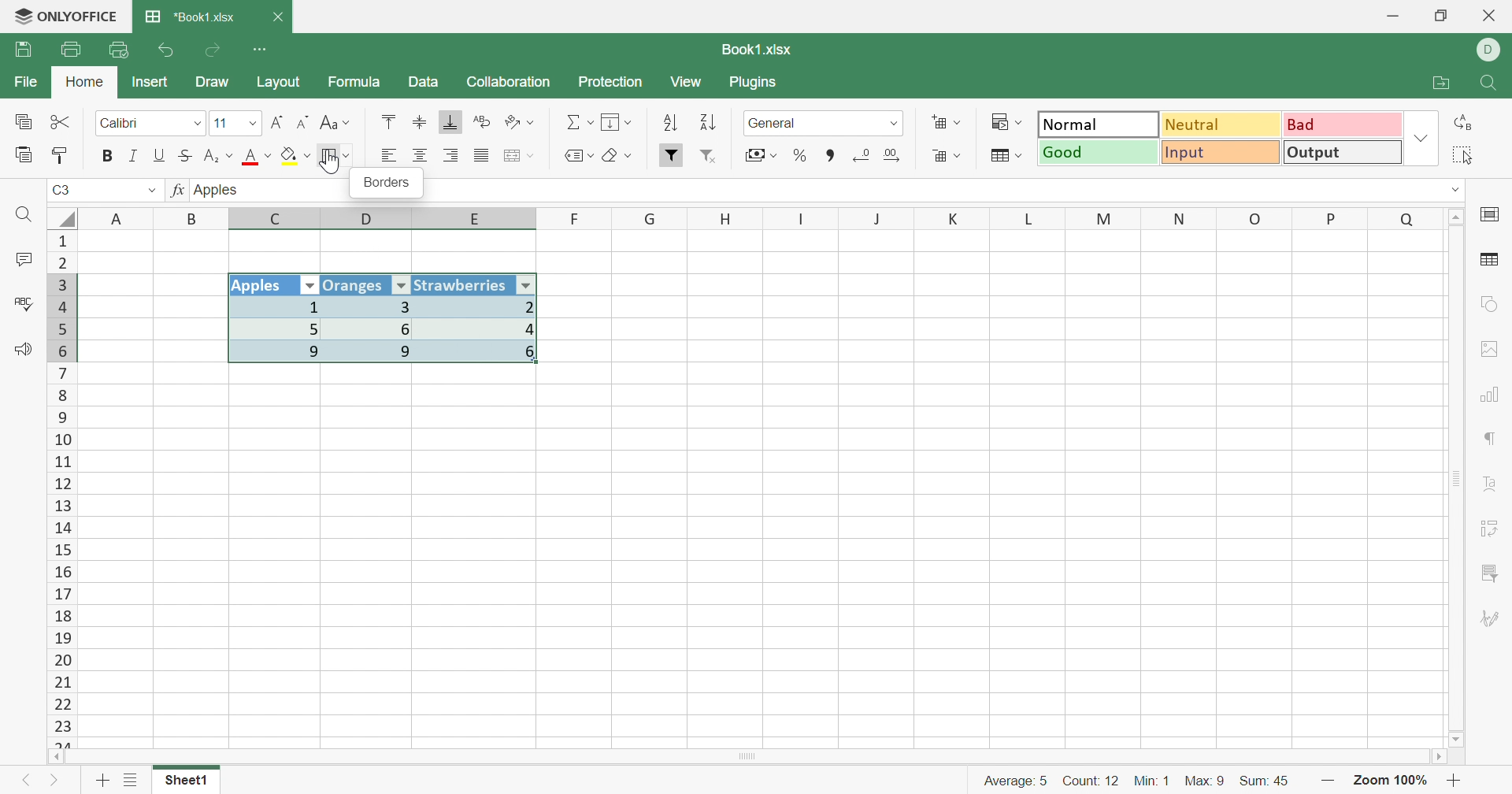  What do you see at coordinates (303, 123) in the screenshot?
I see `Decrement font size` at bounding box center [303, 123].